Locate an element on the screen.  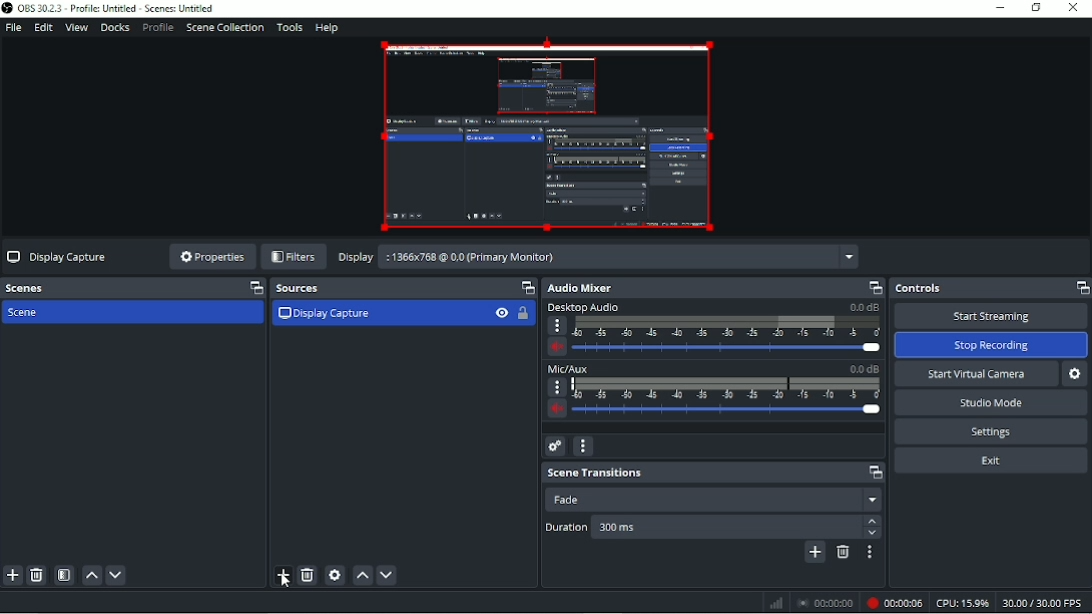
Transition properties is located at coordinates (867, 553).